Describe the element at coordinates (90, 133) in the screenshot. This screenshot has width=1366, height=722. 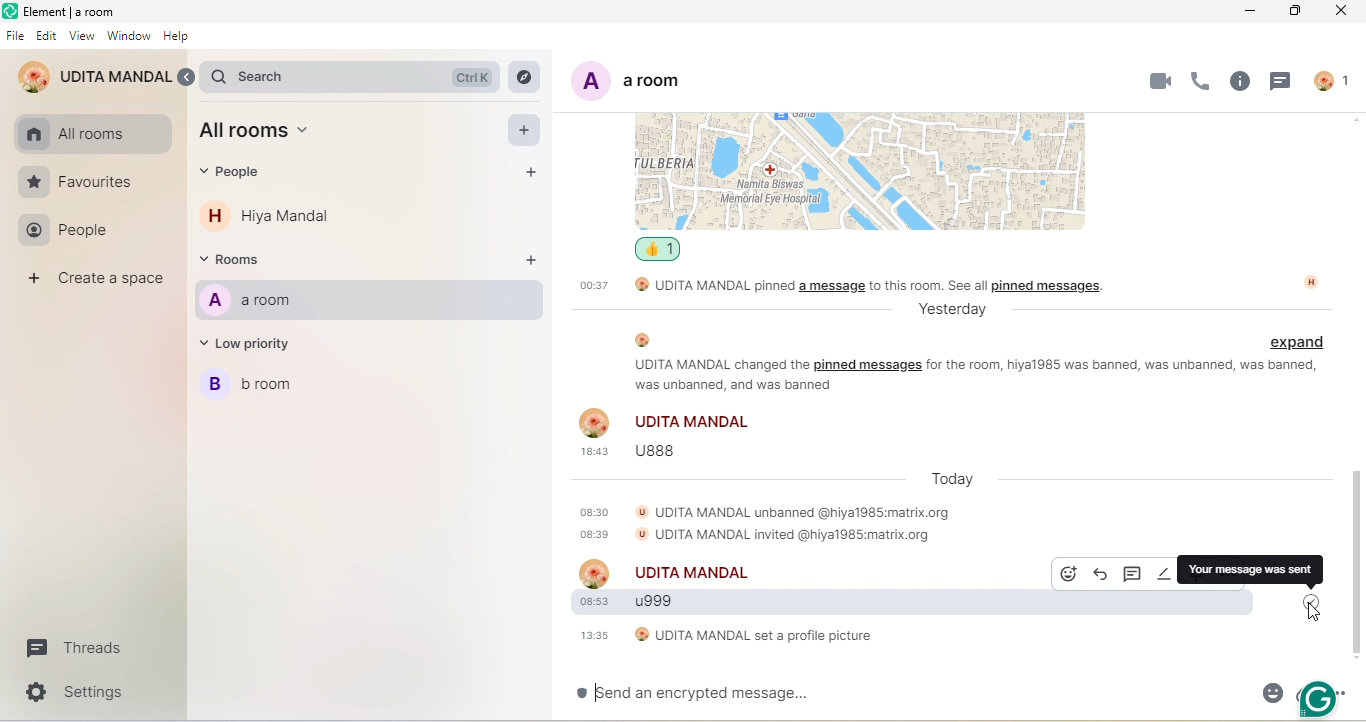
I see `All room` at that location.